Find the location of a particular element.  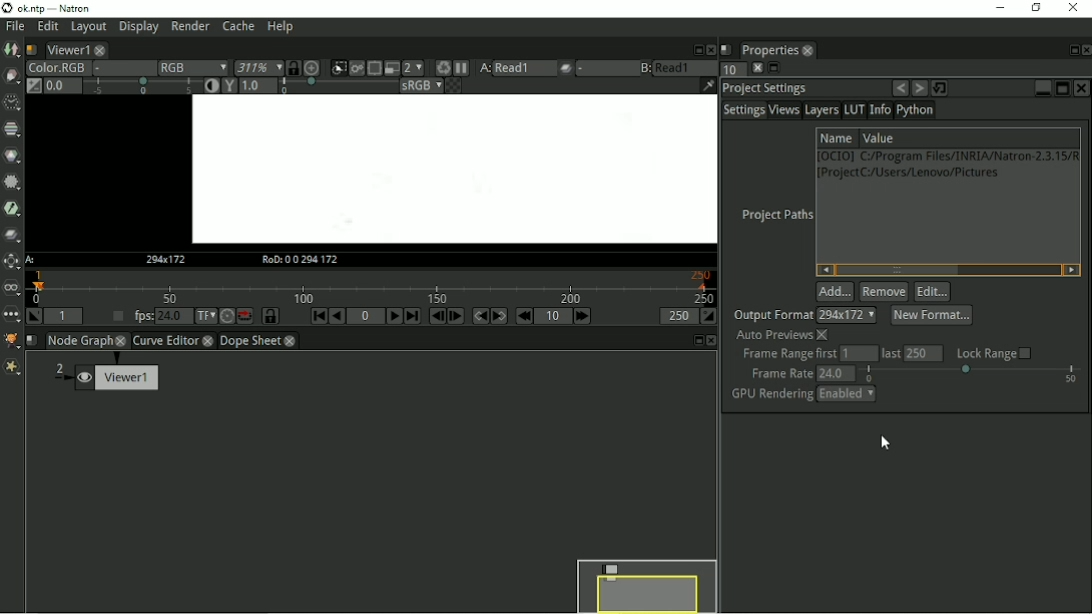

Python is located at coordinates (916, 110).